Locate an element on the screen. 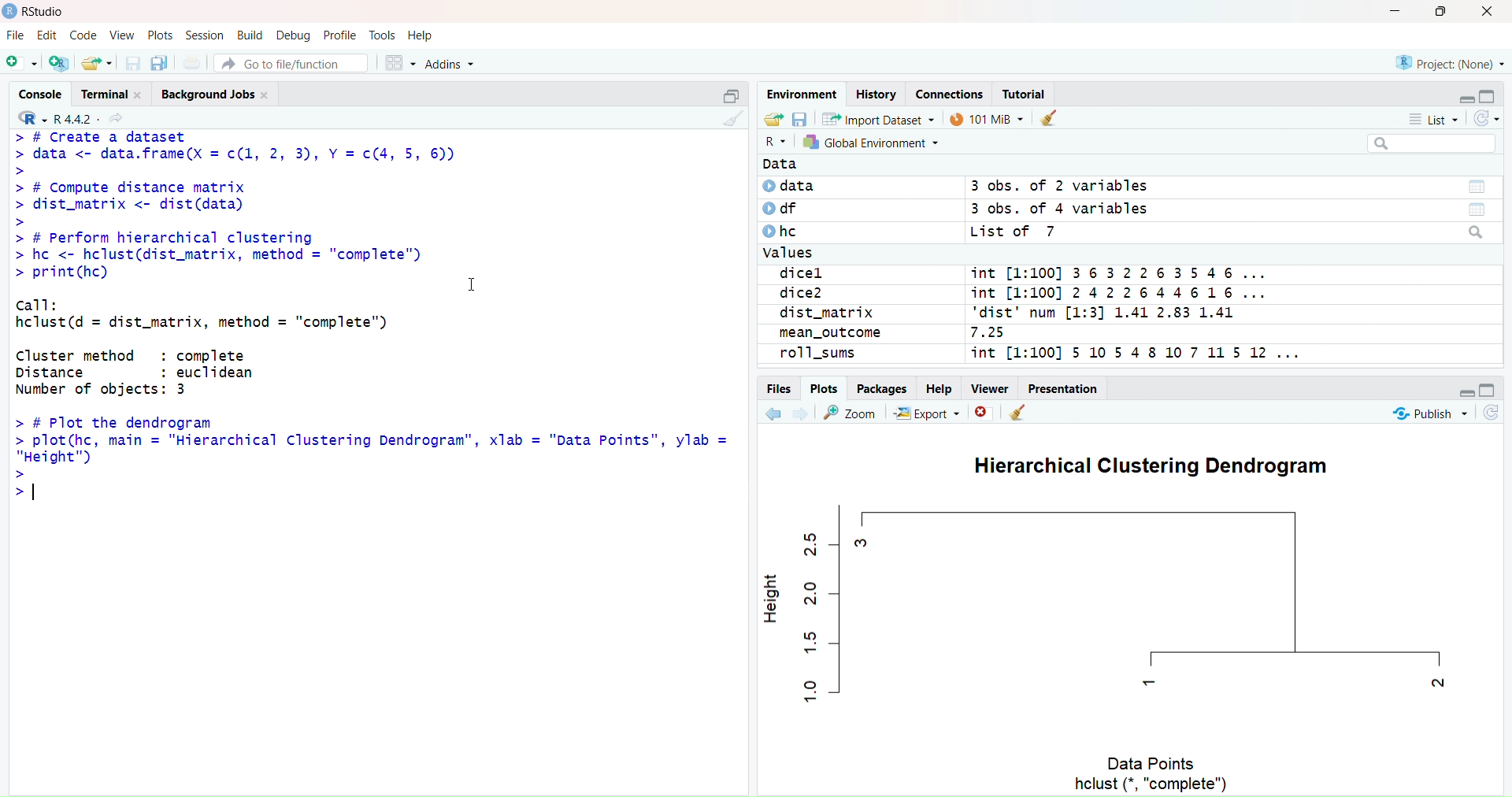 This screenshot has width=1512, height=797. Project (Note) is located at coordinates (1451, 61).